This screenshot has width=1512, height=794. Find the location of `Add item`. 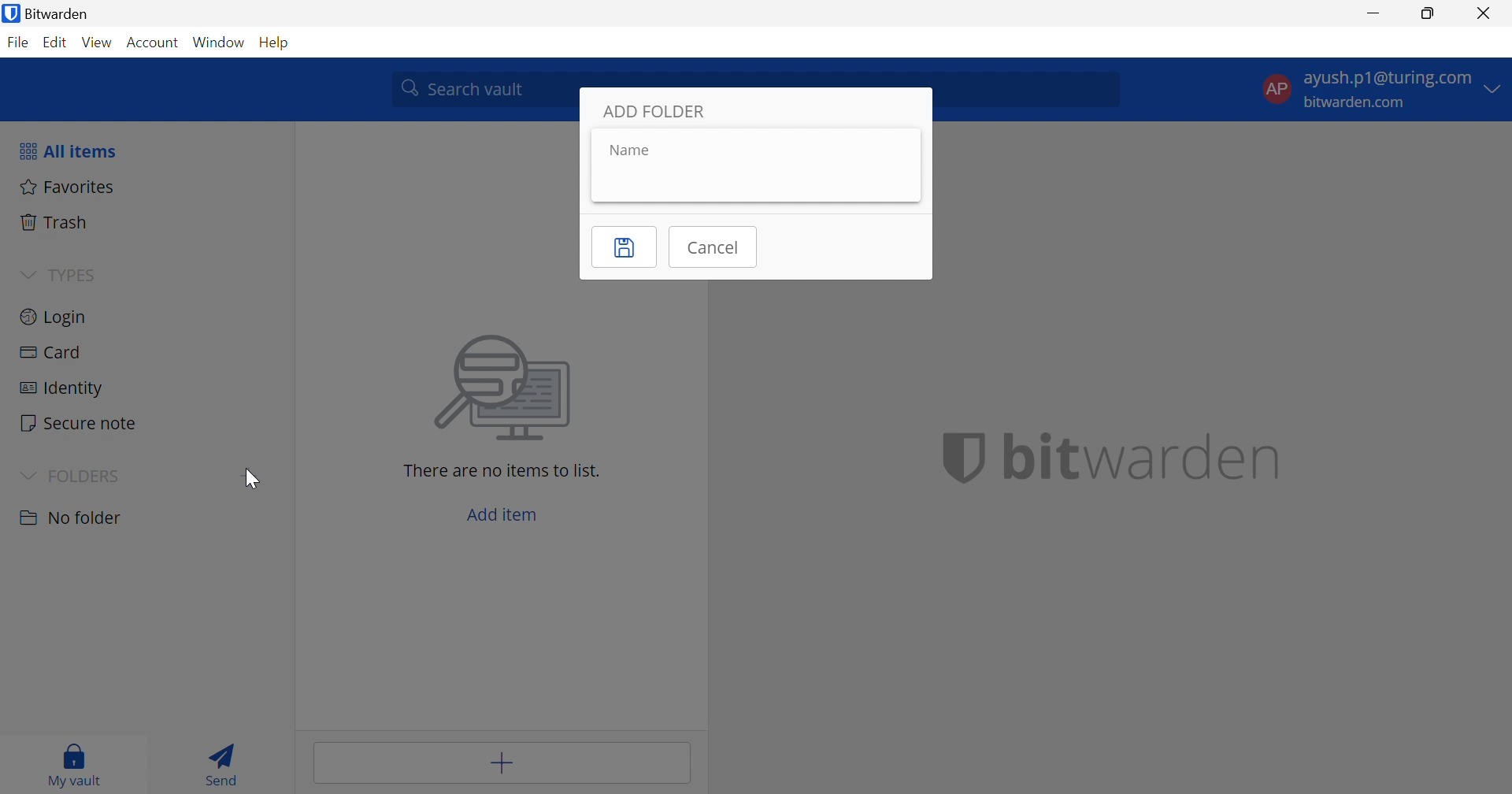

Add item is located at coordinates (510, 515).